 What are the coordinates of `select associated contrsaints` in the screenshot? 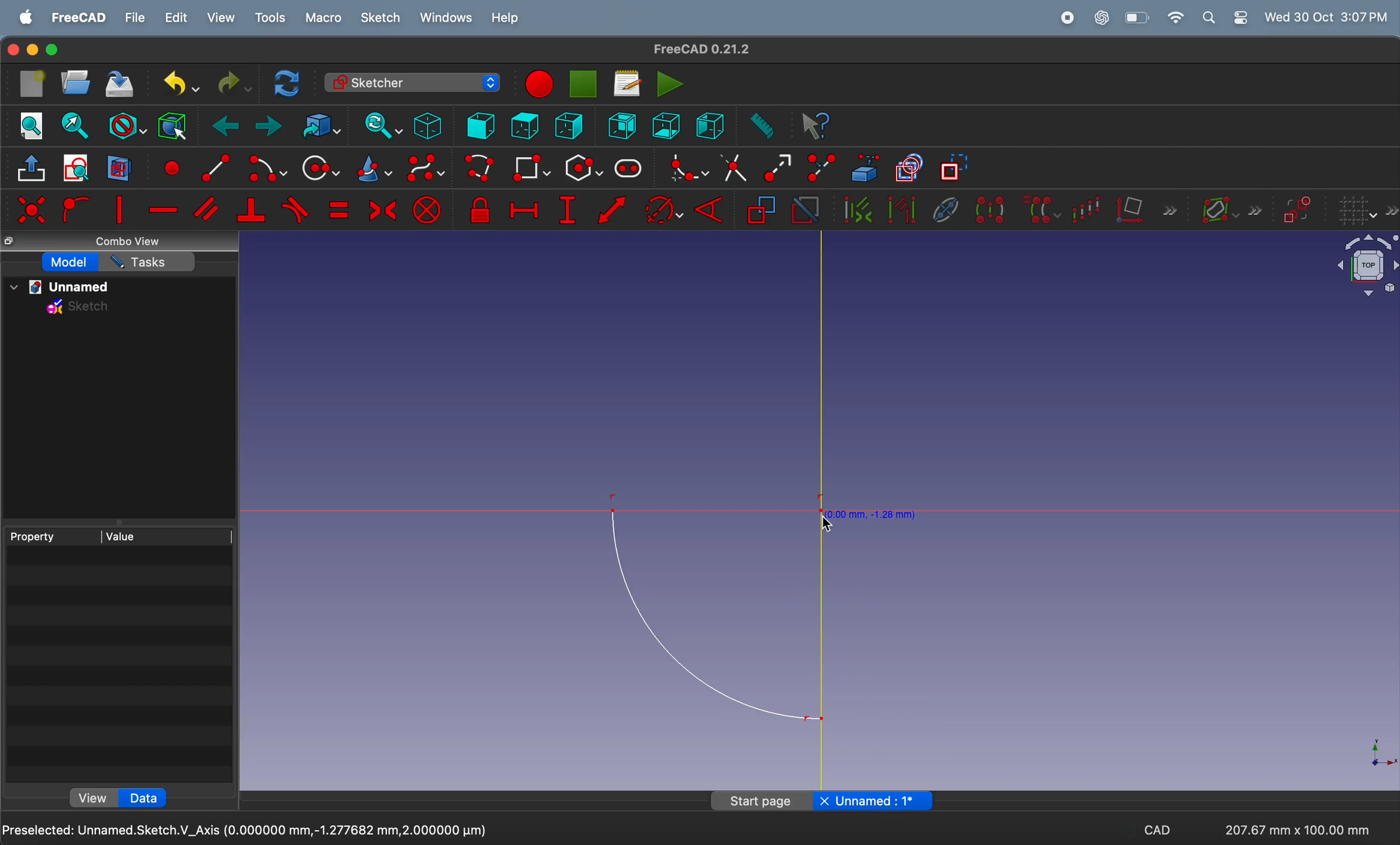 It's located at (855, 210).